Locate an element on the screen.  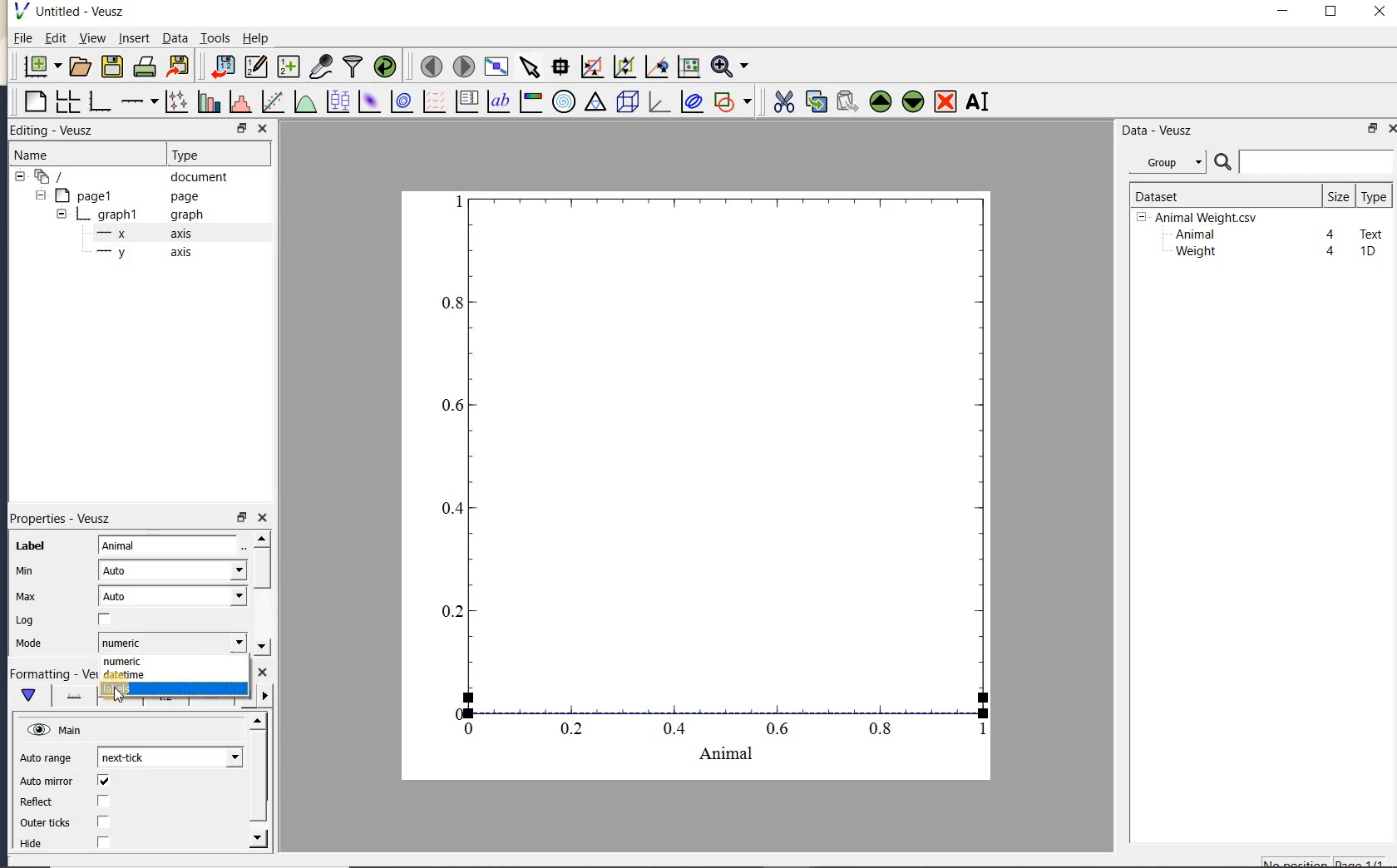
page1 is located at coordinates (119, 197).